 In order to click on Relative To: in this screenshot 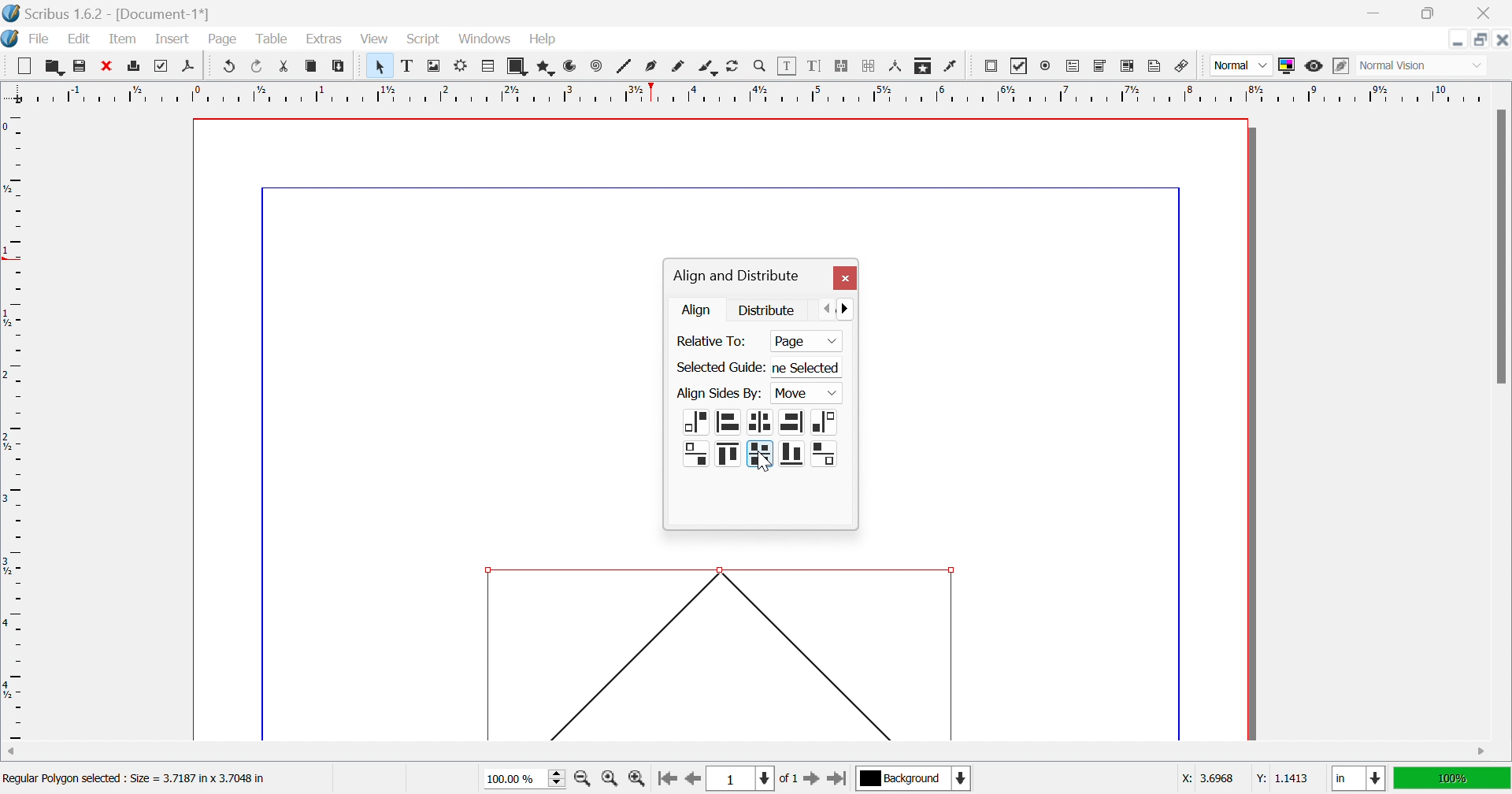, I will do `click(714, 341)`.